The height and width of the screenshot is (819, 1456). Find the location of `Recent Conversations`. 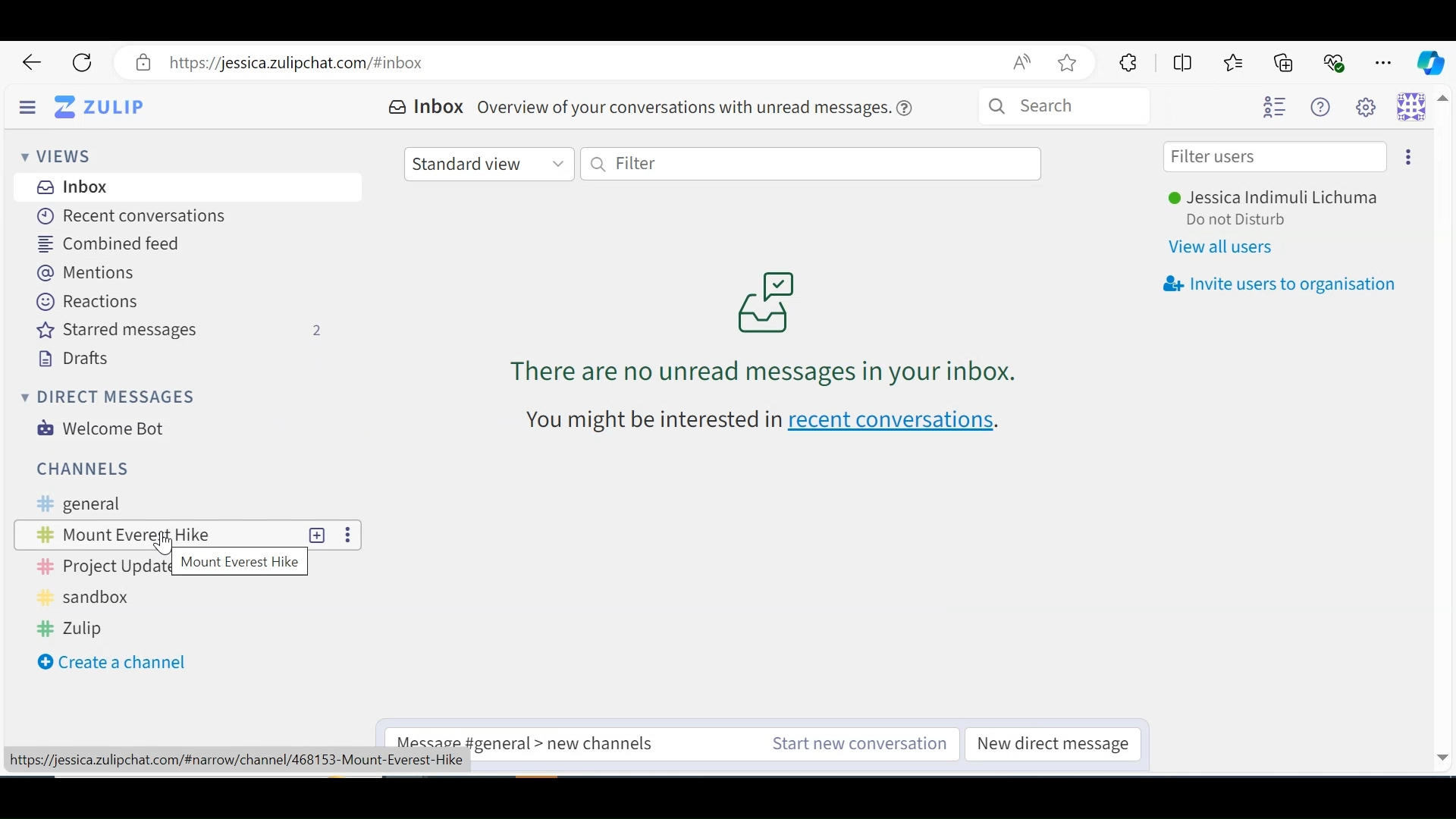

Recent Conversations is located at coordinates (126, 215).